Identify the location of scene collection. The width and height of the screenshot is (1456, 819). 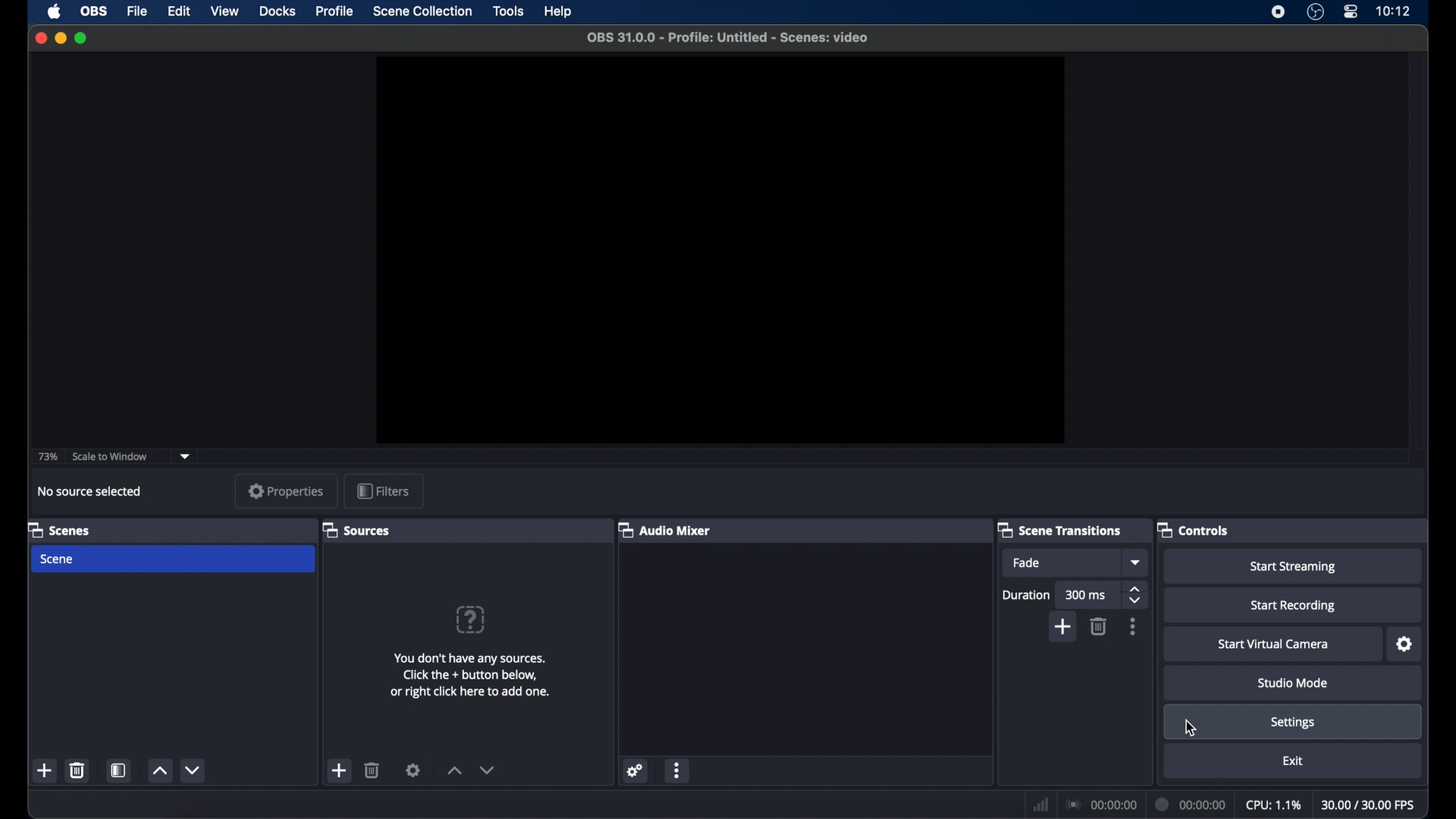
(424, 11).